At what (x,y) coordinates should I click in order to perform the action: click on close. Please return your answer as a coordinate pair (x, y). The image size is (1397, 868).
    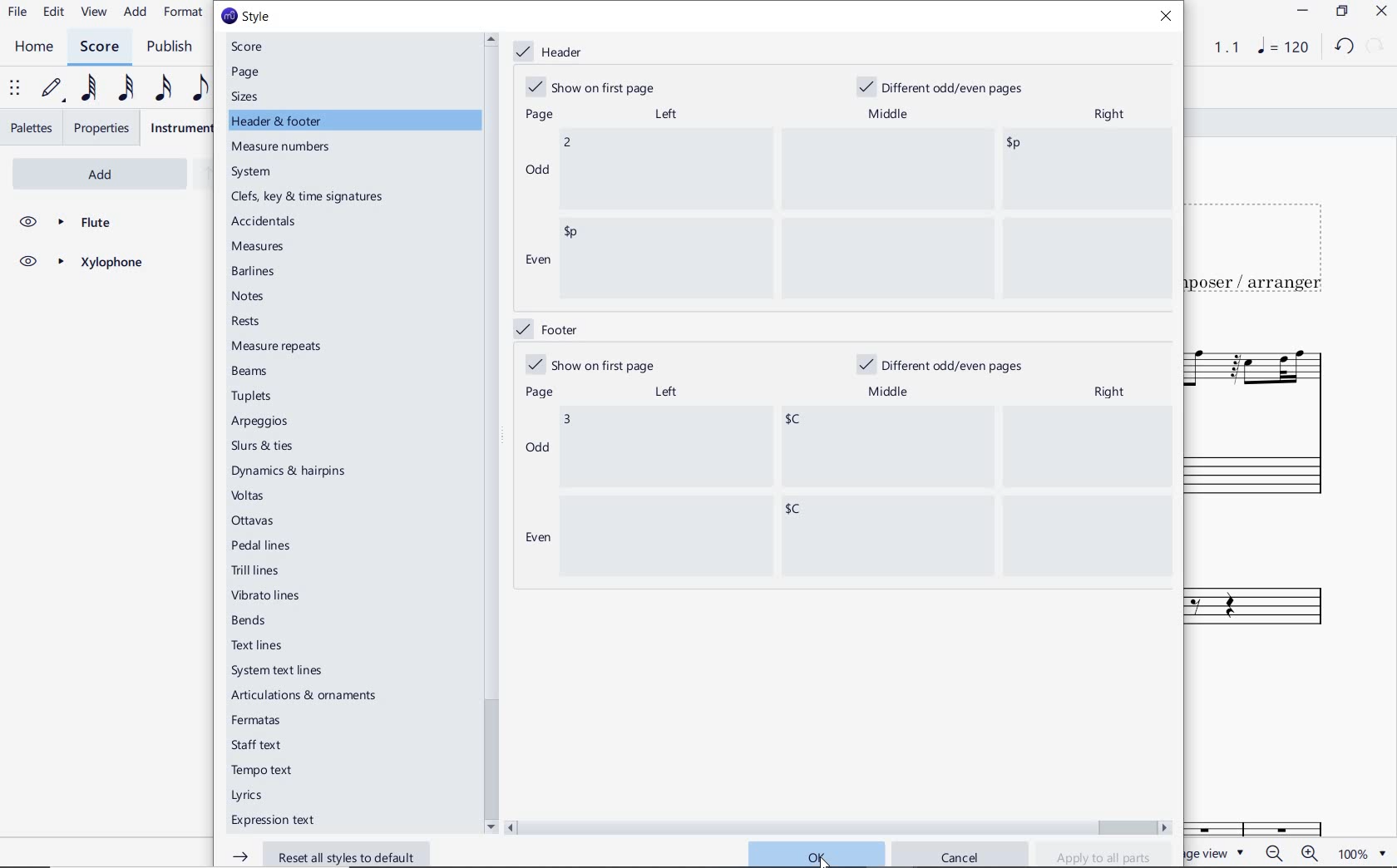
    Looking at the image, I should click on (1170, 18).